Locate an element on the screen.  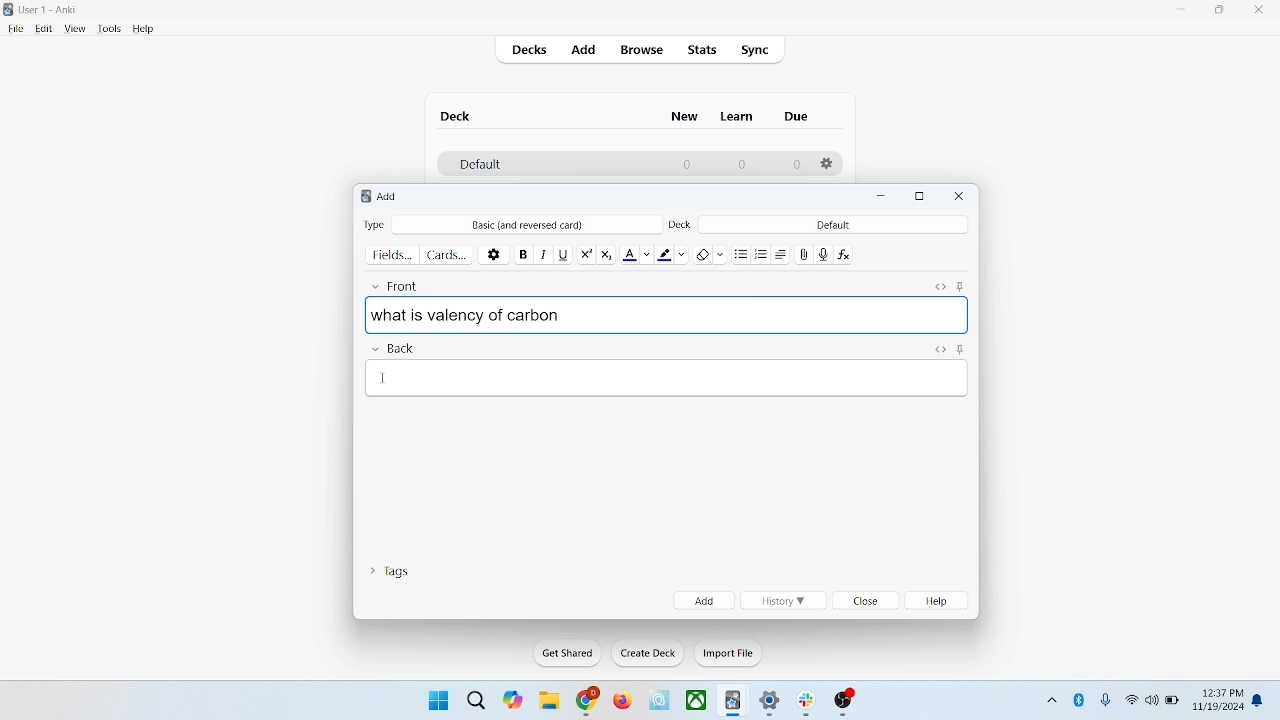
wifi is located at coordinates (1131, 699).